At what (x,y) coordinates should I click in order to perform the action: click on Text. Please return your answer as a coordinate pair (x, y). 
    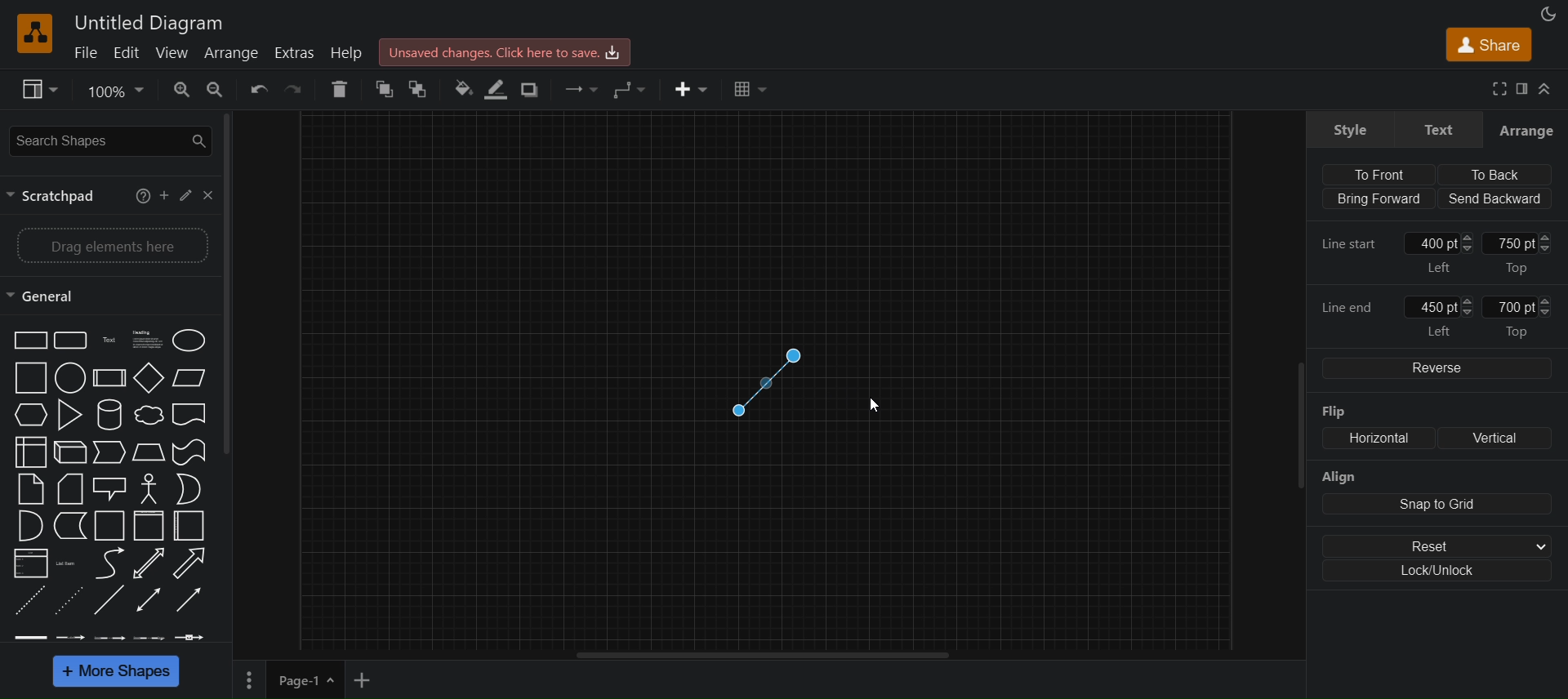
    Looking at the image, I should click on (106, 339).